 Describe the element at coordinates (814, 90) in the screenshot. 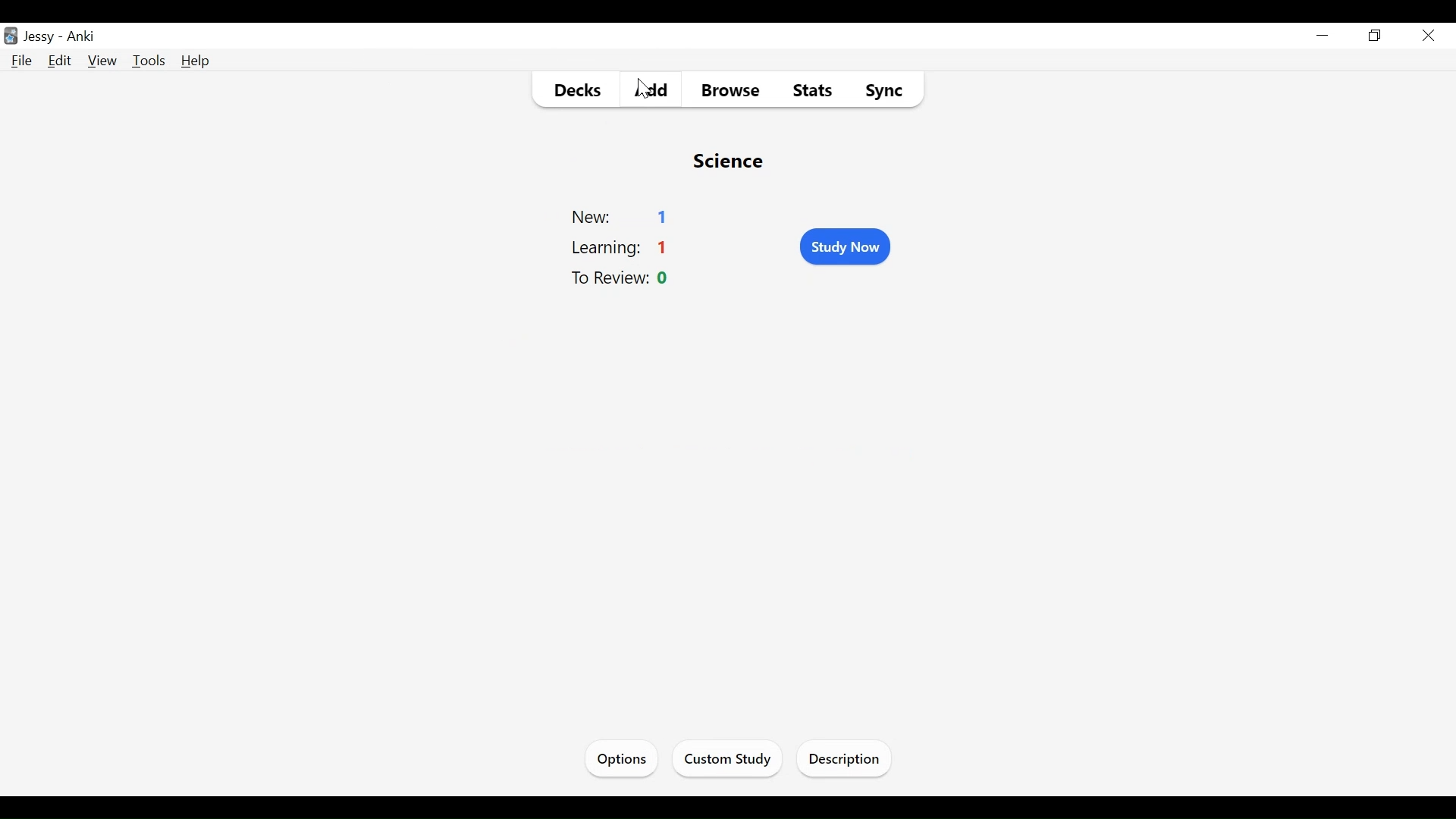

I see `Stats` at that location.